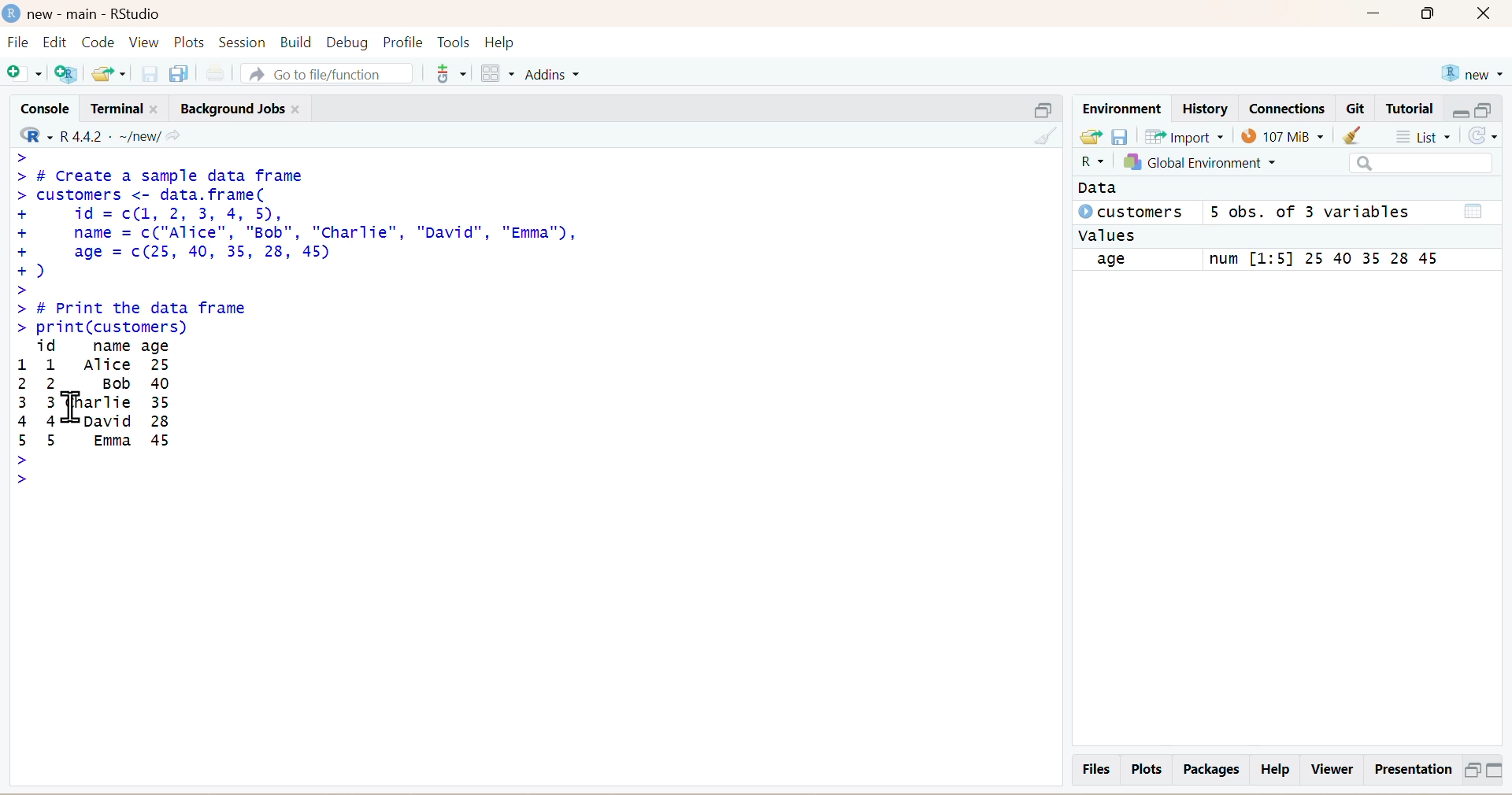 This screenshot has width=1512, height=795. Describe the element at coordinates (1099, 189) in the screenshot. I see `Data` at that location.